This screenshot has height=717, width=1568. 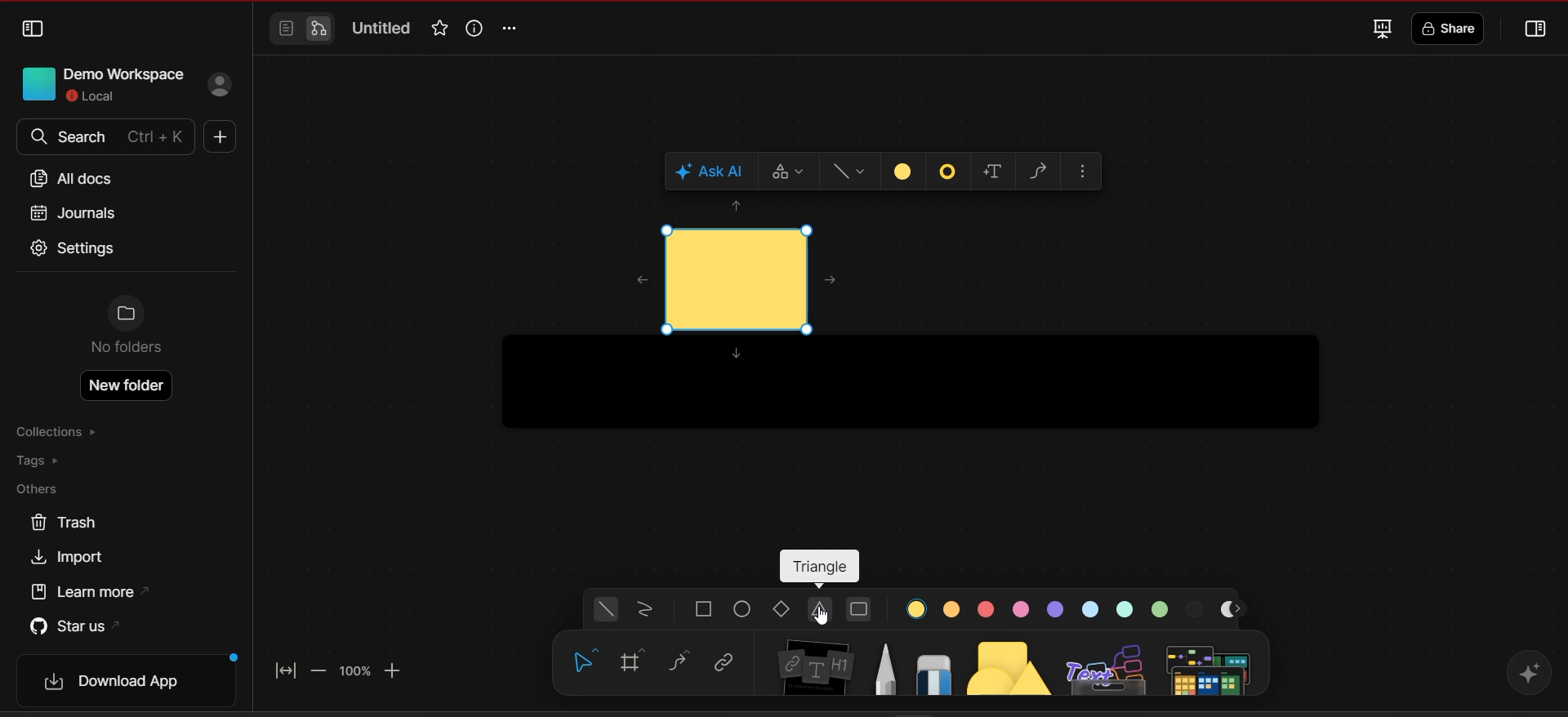 I want to click on color 2, so click(x=952, y=608).